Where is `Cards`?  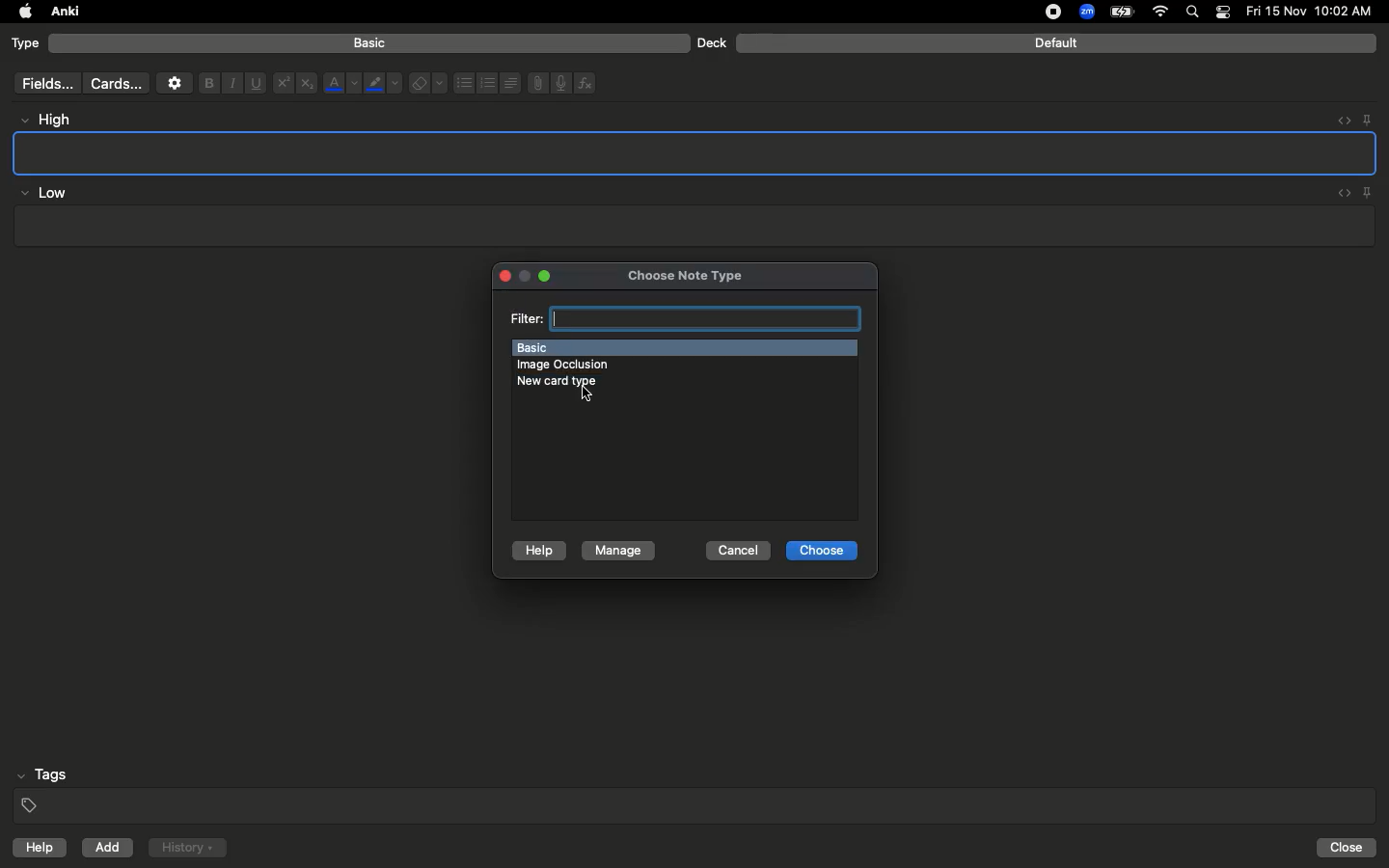 Cards is located at coordinates (116, 84).